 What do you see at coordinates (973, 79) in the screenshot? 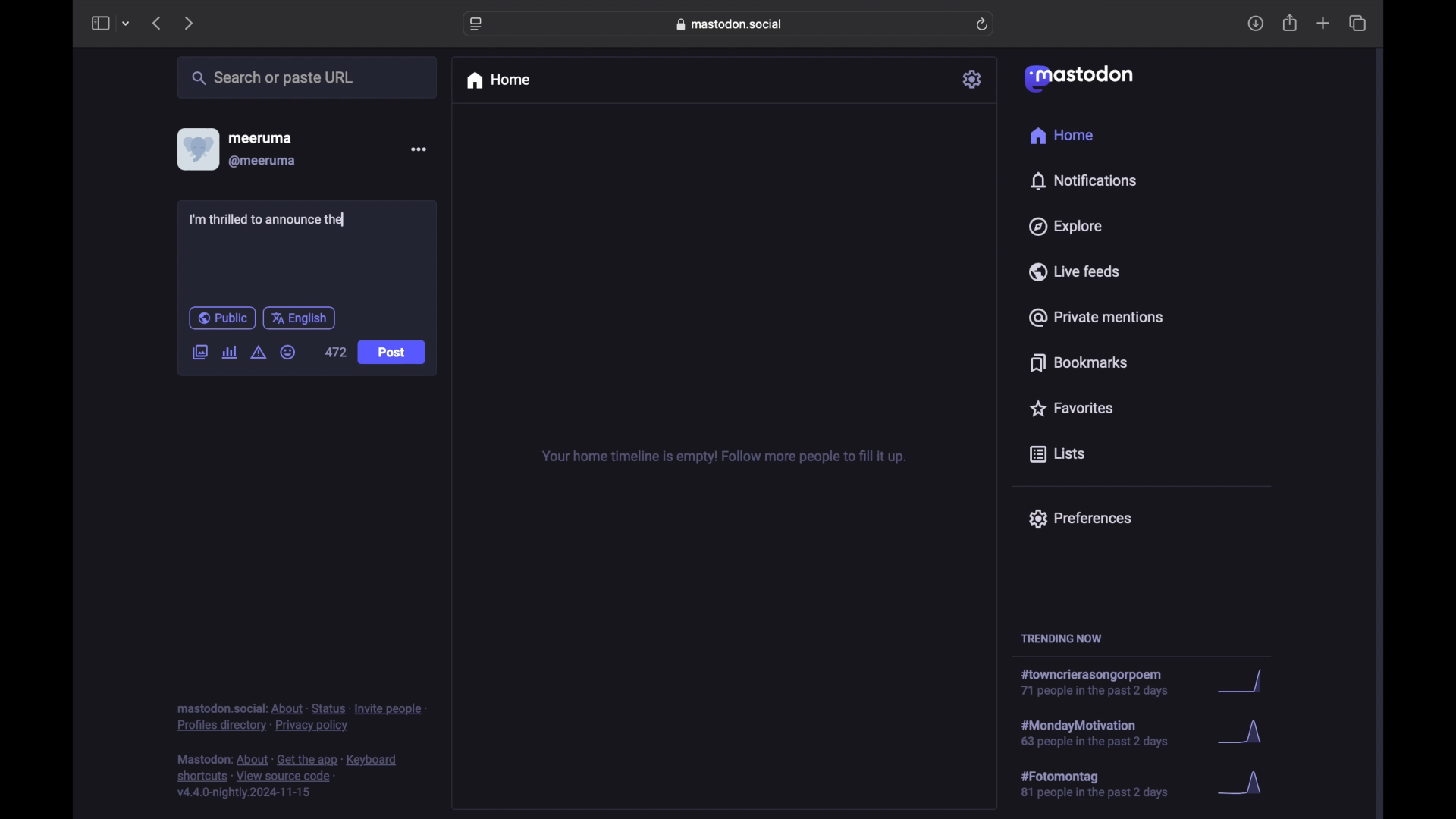
I see `settings` at bounding box center [973, 79].